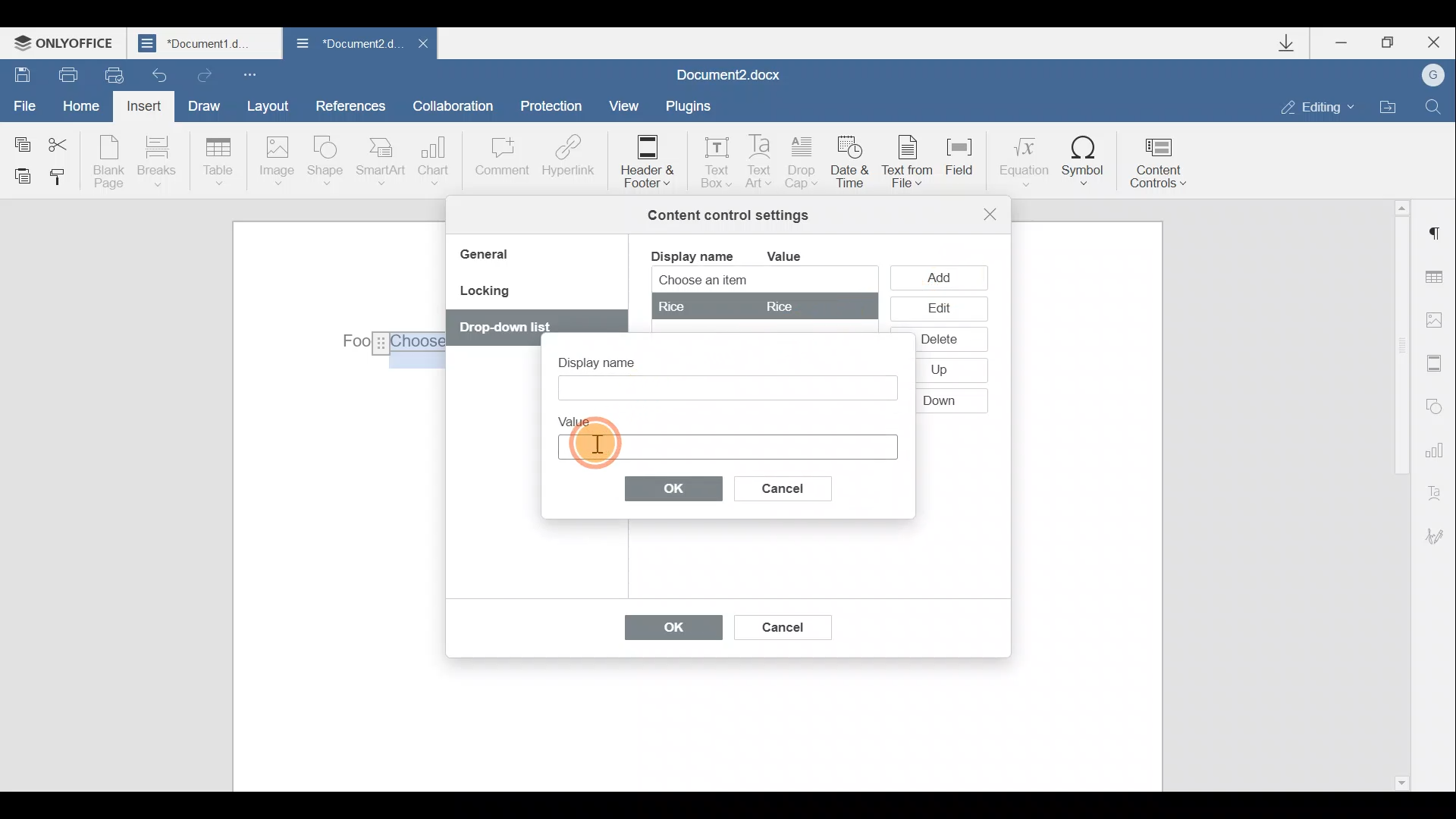 Image resolution: width=1456 pixels, height=819 pixels. What do you see at coordinates (484, 296) in the screenshot?
I see `Locking` at bounding box center [484, 296].